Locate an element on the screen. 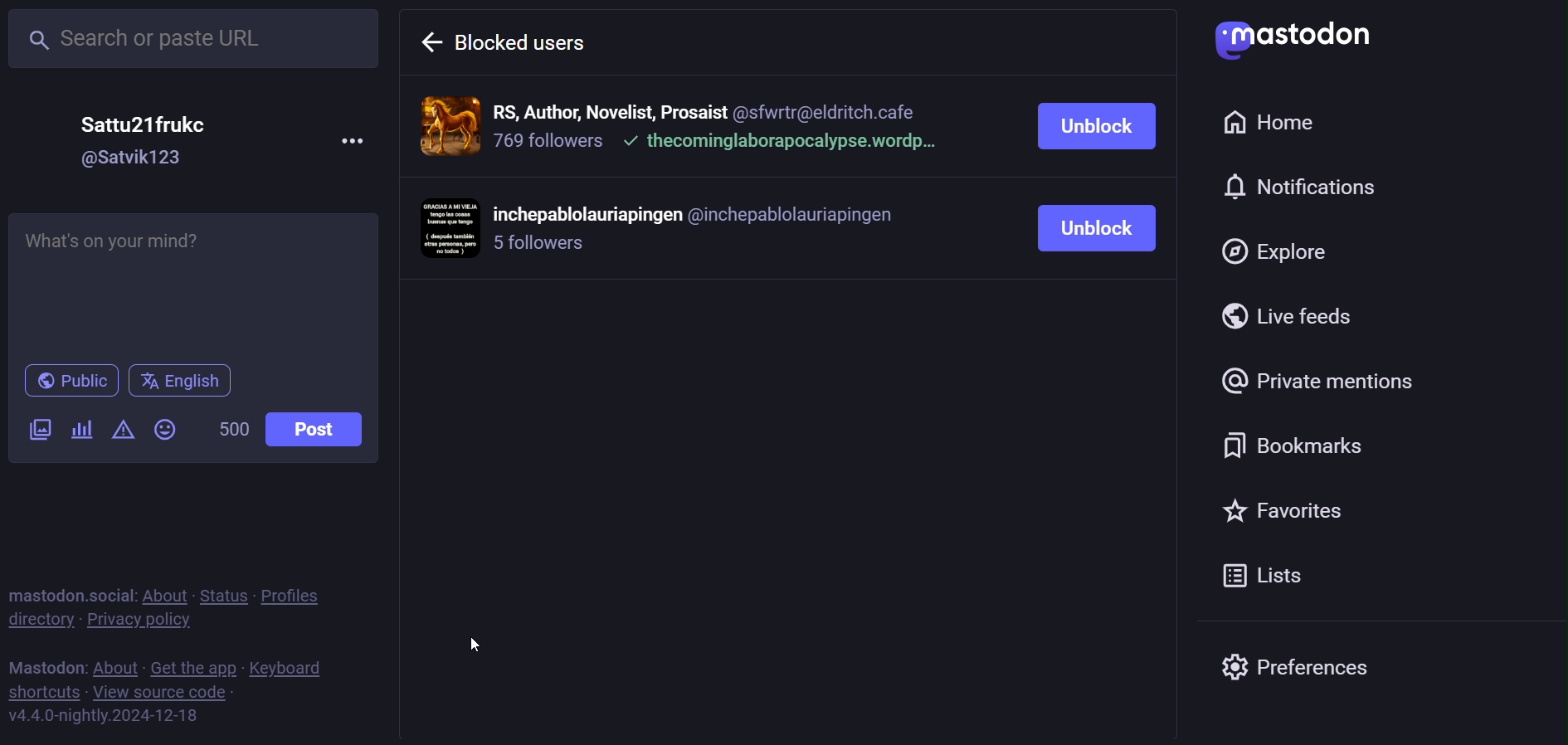  directory is located at coordinates (41, 624).